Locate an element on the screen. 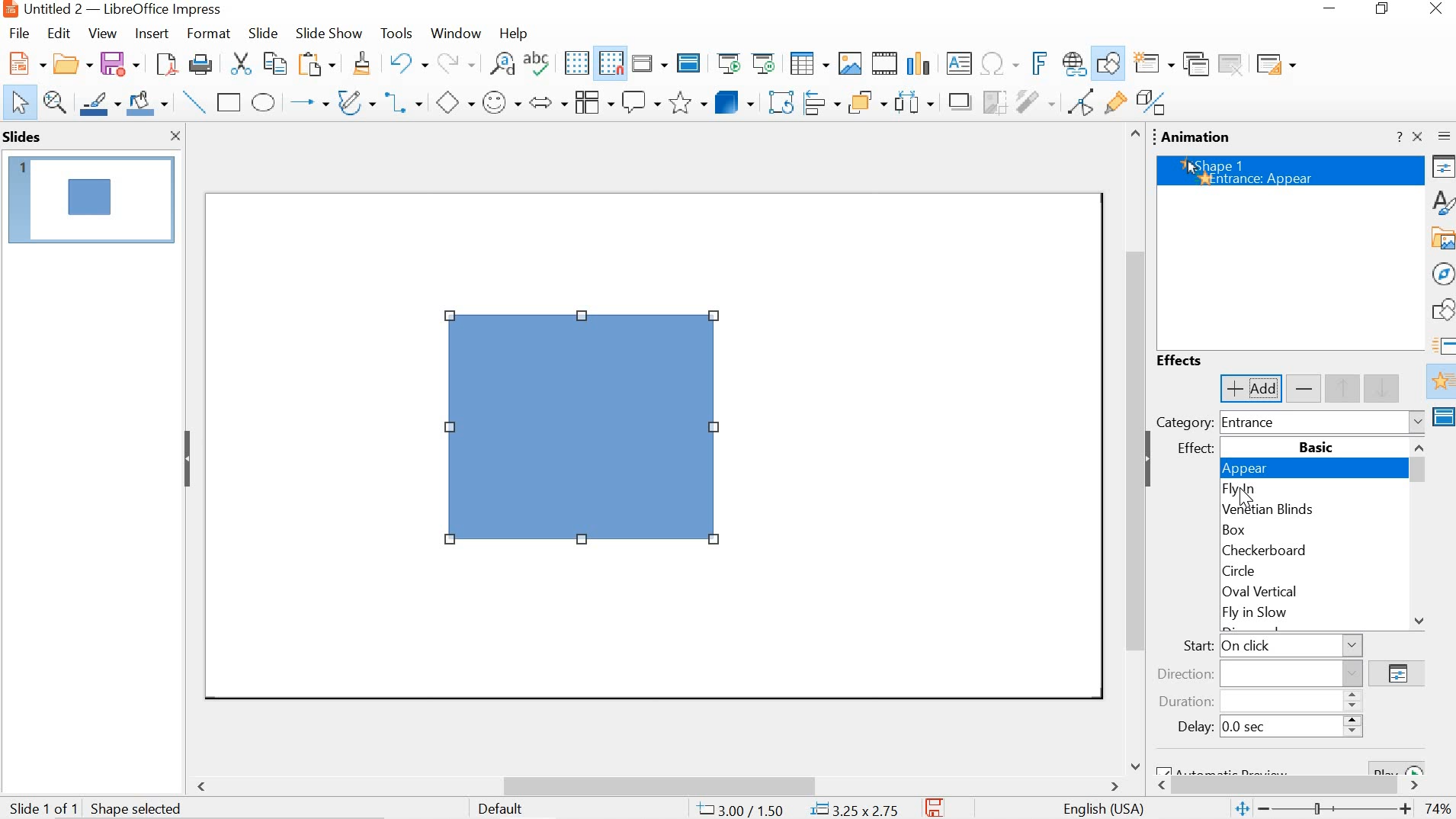 This screenshot has height=819, width=1456. ellipse is located at coordinates (265, 102).